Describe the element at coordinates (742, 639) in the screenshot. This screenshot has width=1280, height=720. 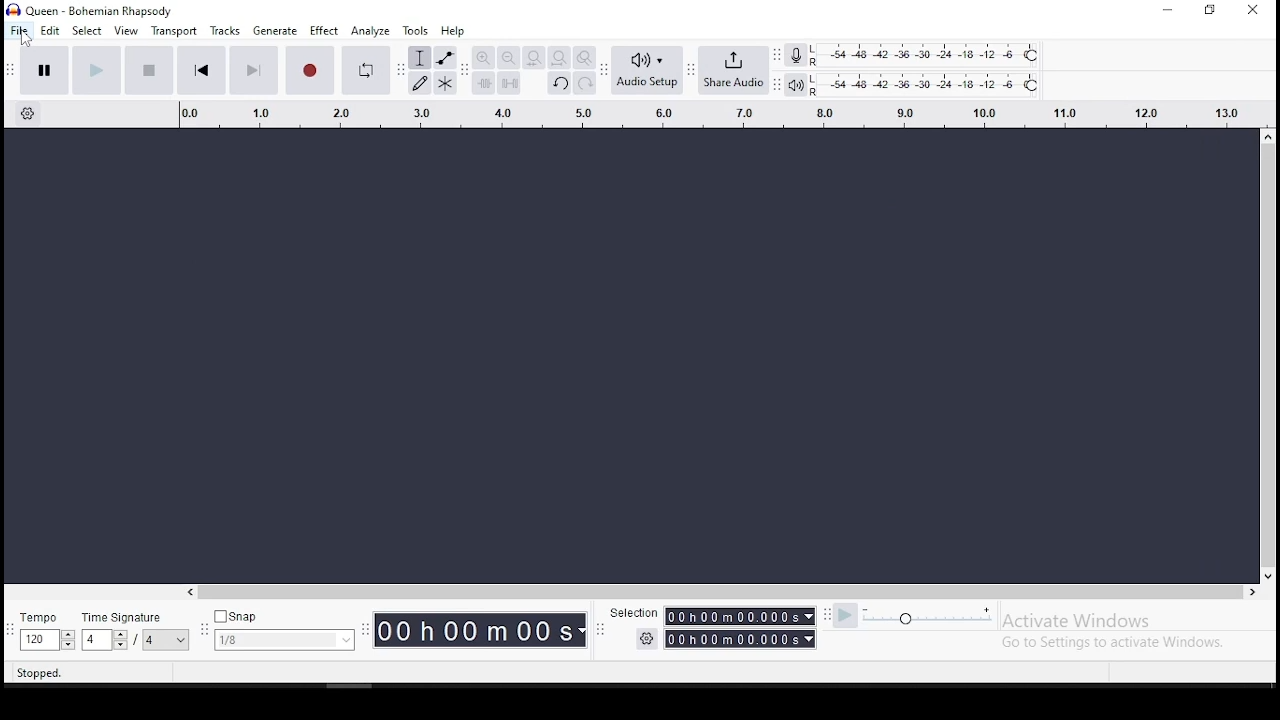
I see `00h00m00s` at that location.